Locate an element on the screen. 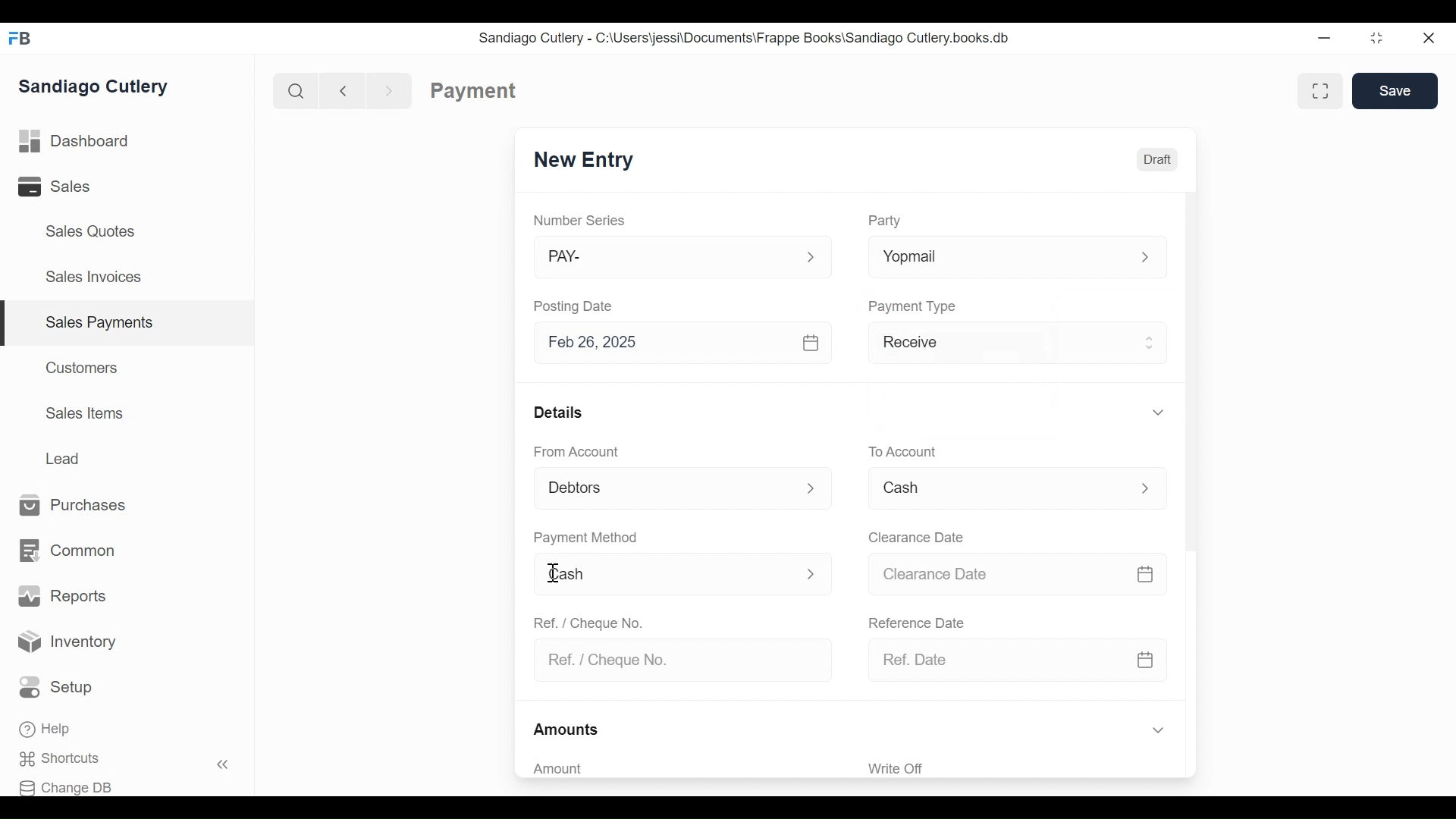 The height and width of the screenshot is (819, 1456). Inventory is located at coordinates (68, 642).